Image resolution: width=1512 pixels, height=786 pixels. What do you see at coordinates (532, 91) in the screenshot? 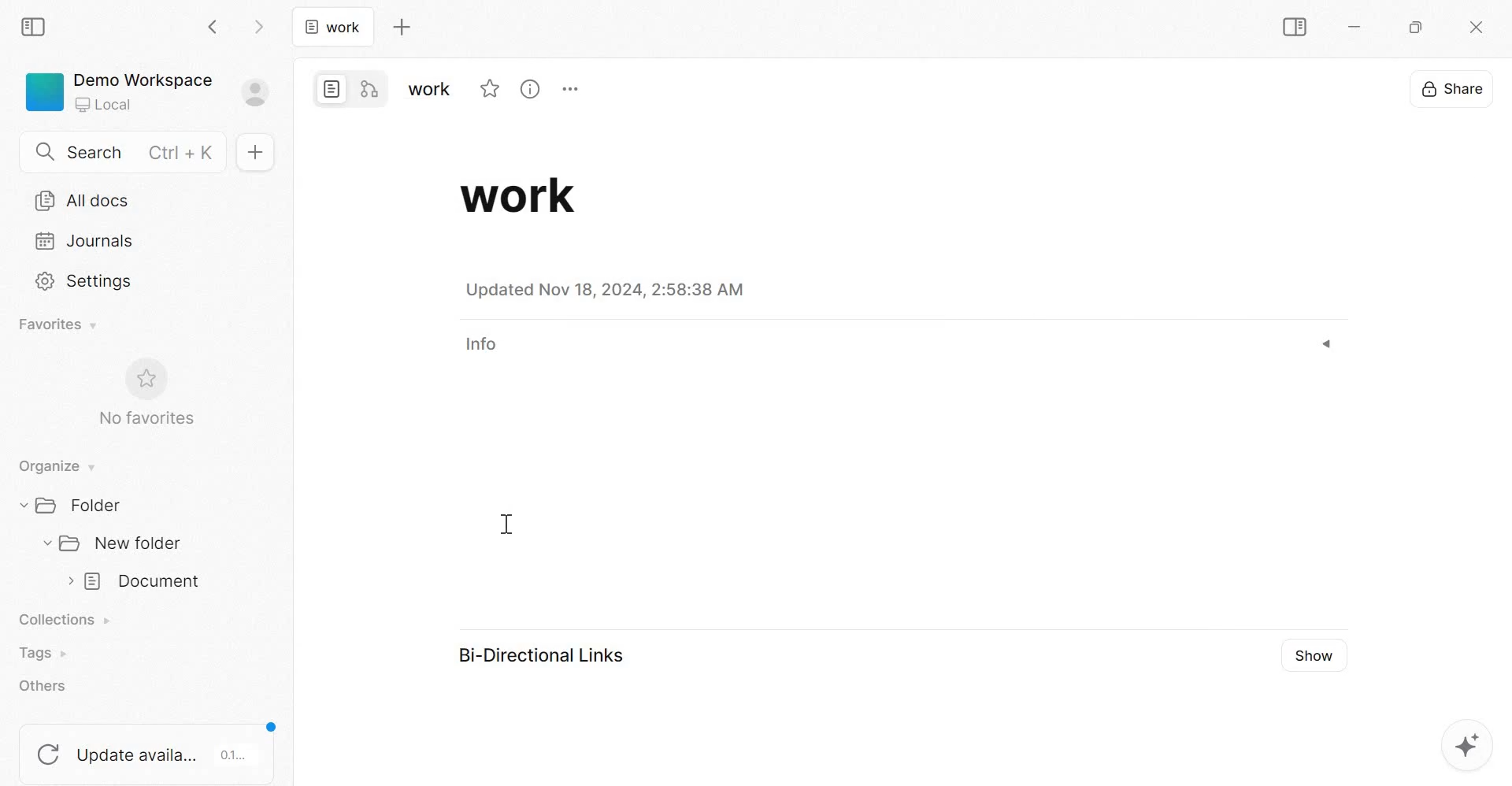
I see `view info` at bounding box center [532, 91].